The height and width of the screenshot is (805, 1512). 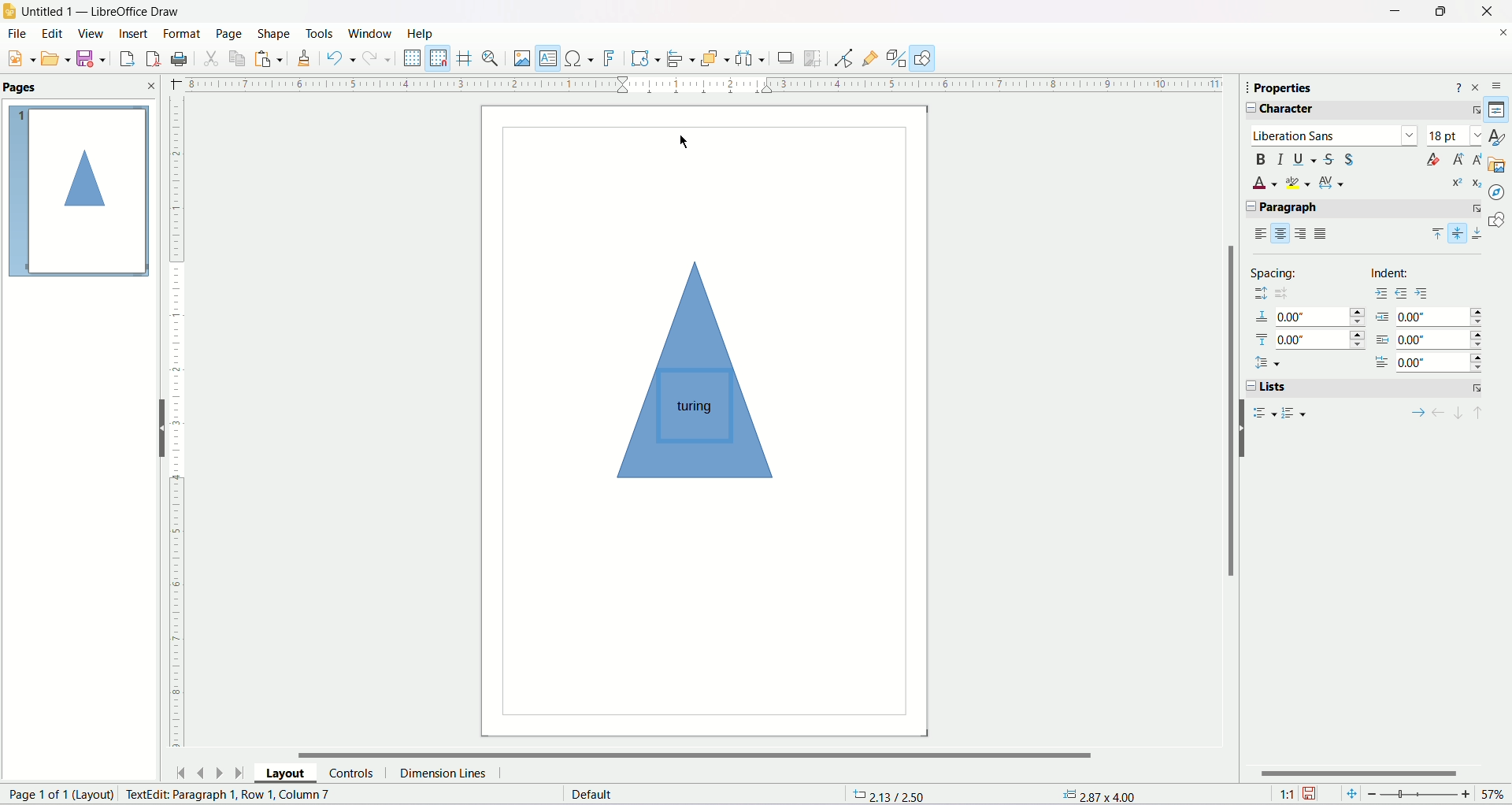 What do you see at coordinates (163, 428) in the screenshot?
I see `Hide` at bounding box center [163, 428].